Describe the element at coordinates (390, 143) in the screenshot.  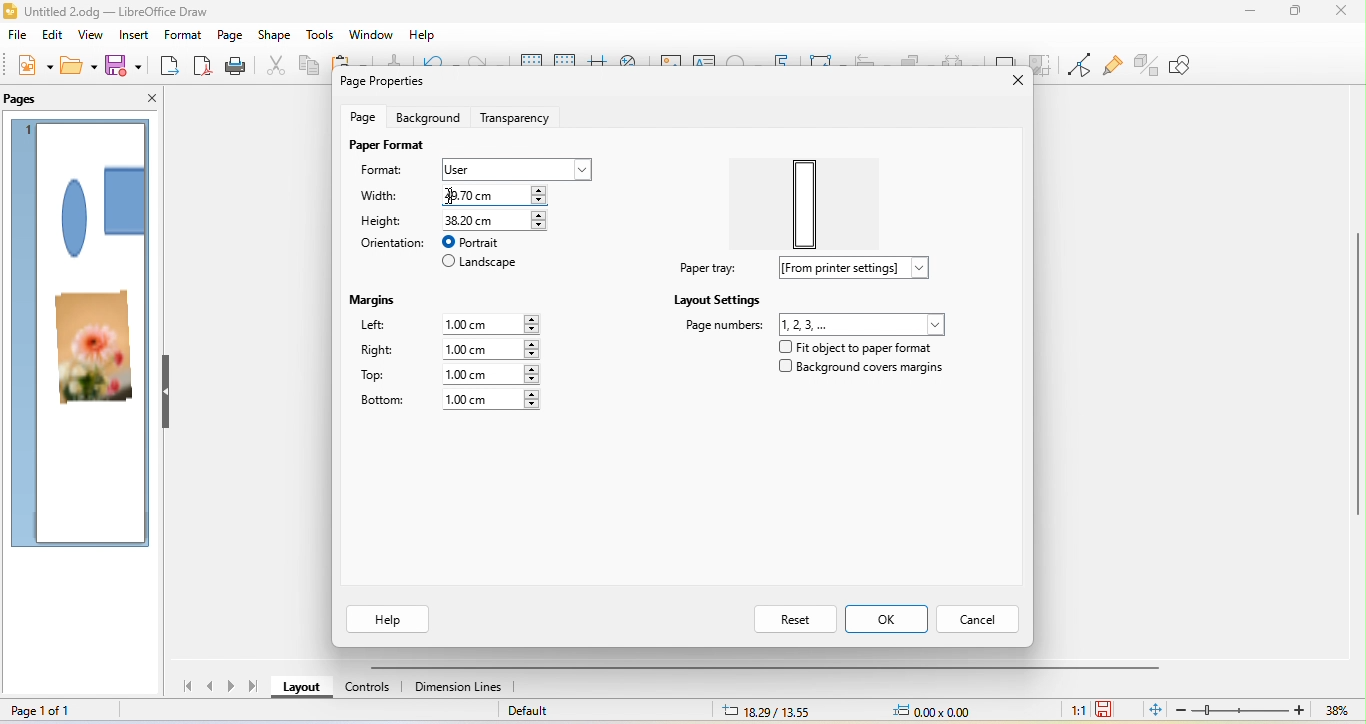
I see `page format` at that location.